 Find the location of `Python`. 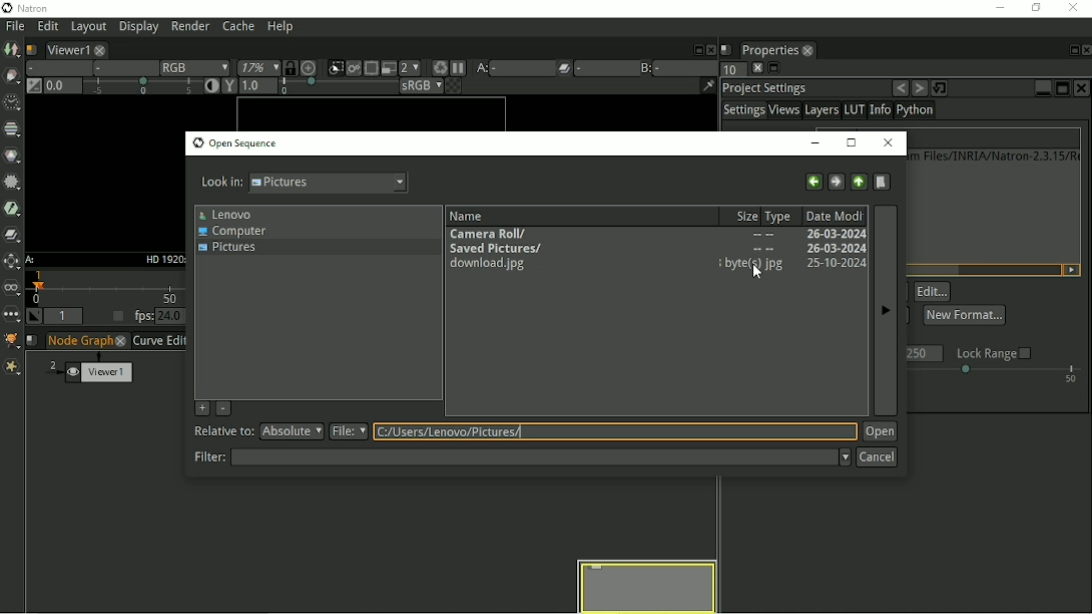

Python is located at coordinates (918, 112).